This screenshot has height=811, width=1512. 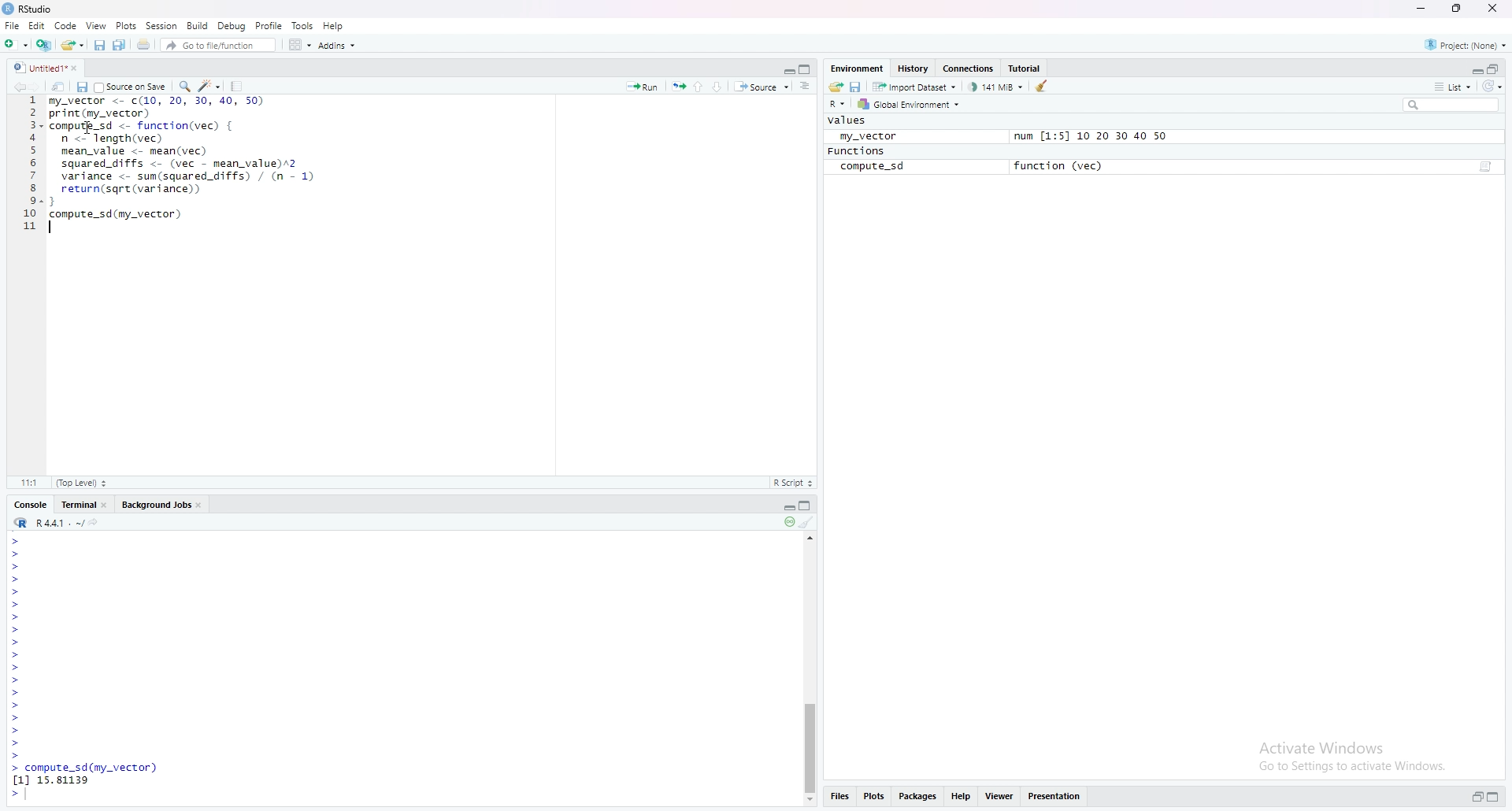 I want to click on History, so click(x=911, y=69).